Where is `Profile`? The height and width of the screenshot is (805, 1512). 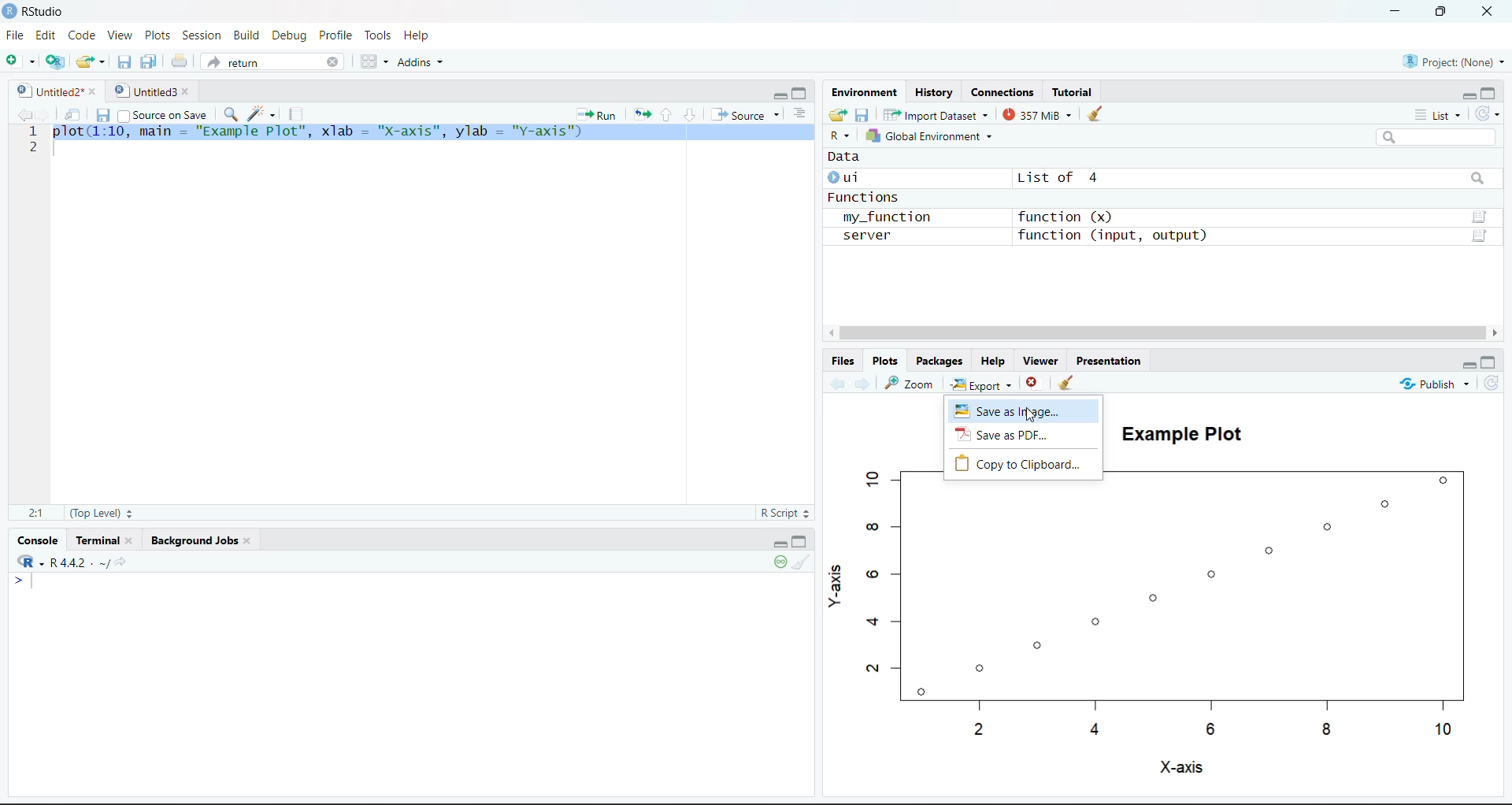 Profile is located at coordinates (338, 34).